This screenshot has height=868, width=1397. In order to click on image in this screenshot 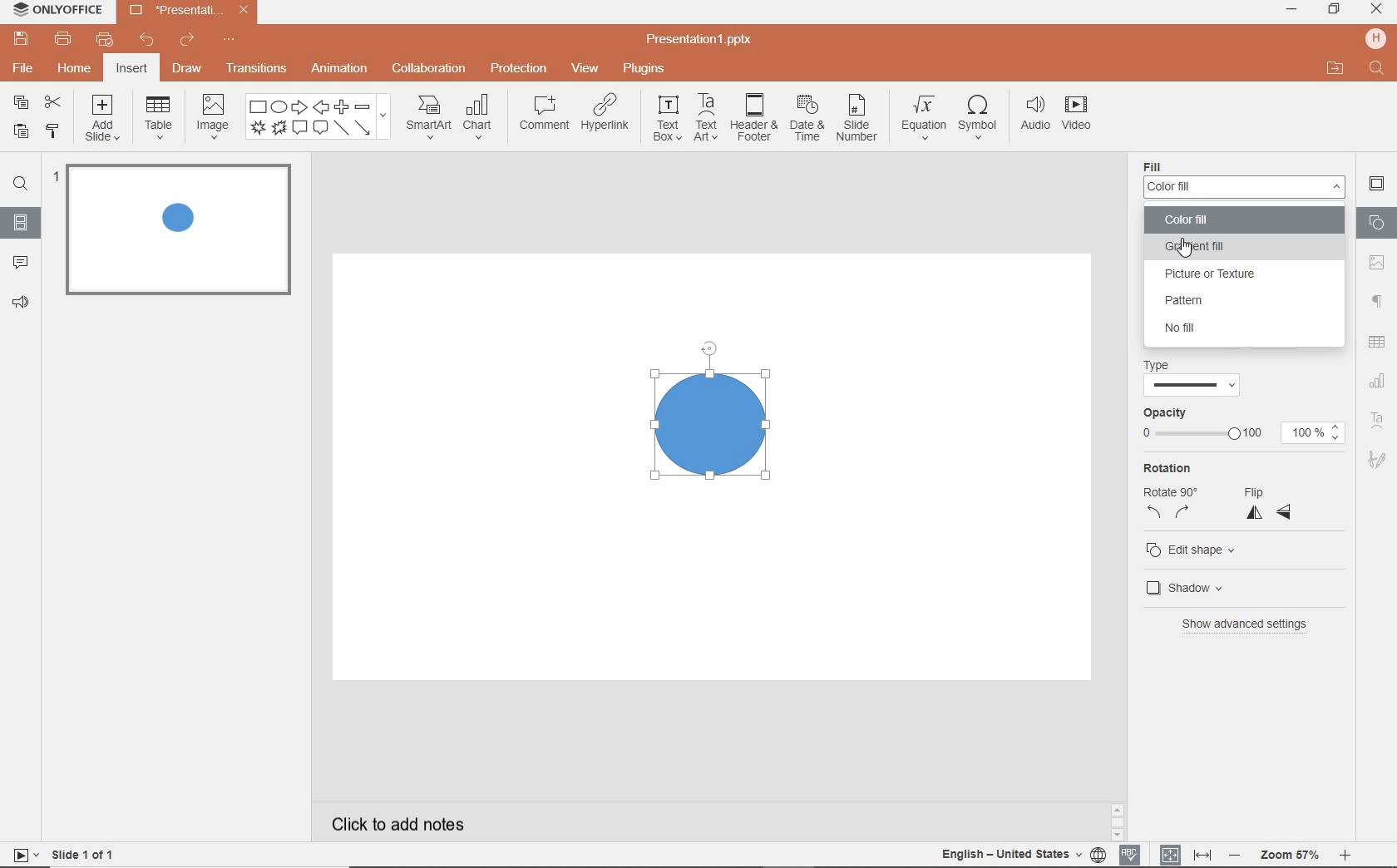, I will do `click(212, 120)`.